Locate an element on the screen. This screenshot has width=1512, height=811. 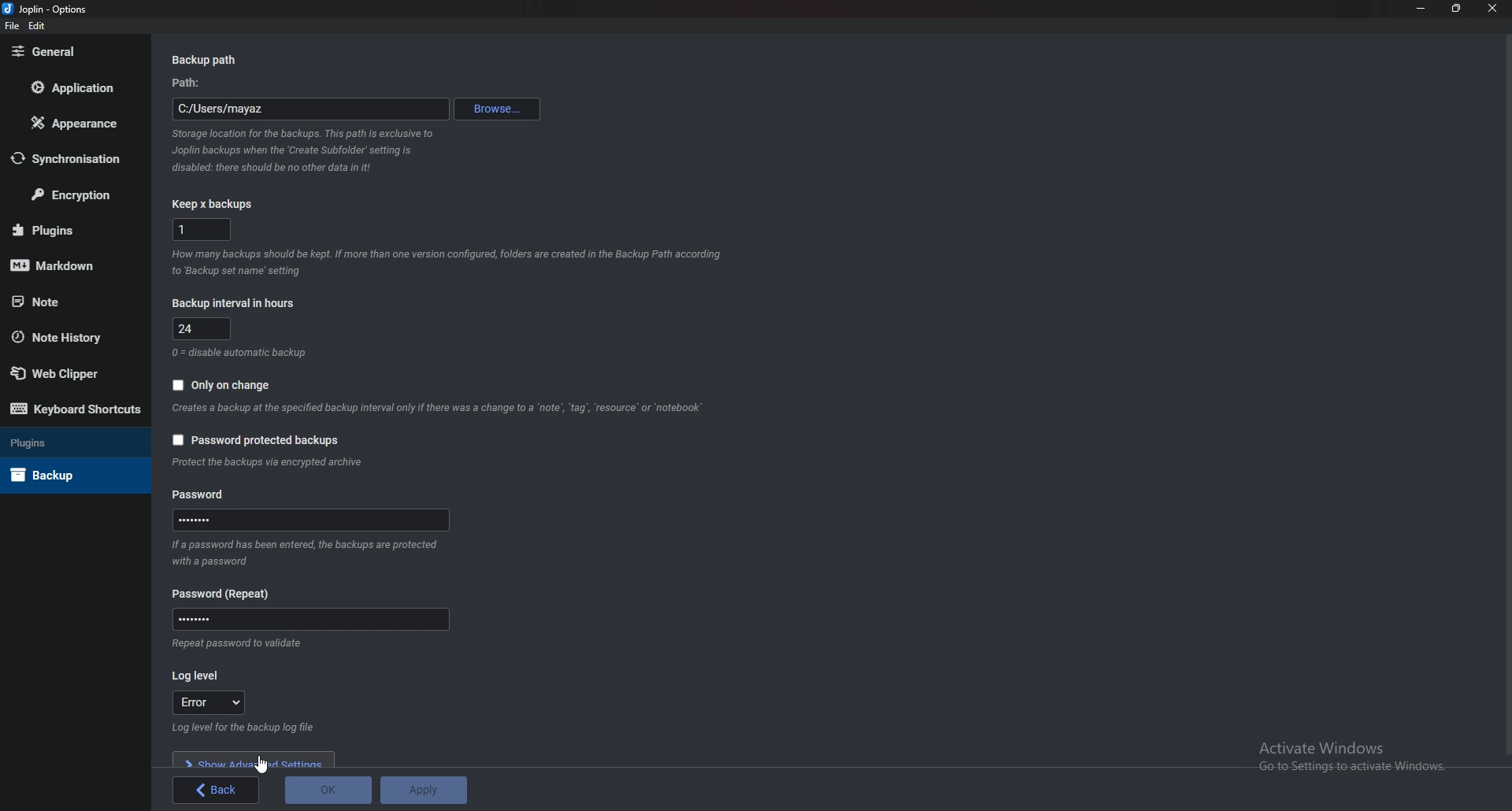
Show advanced settings is located at coordinates (254, 760).